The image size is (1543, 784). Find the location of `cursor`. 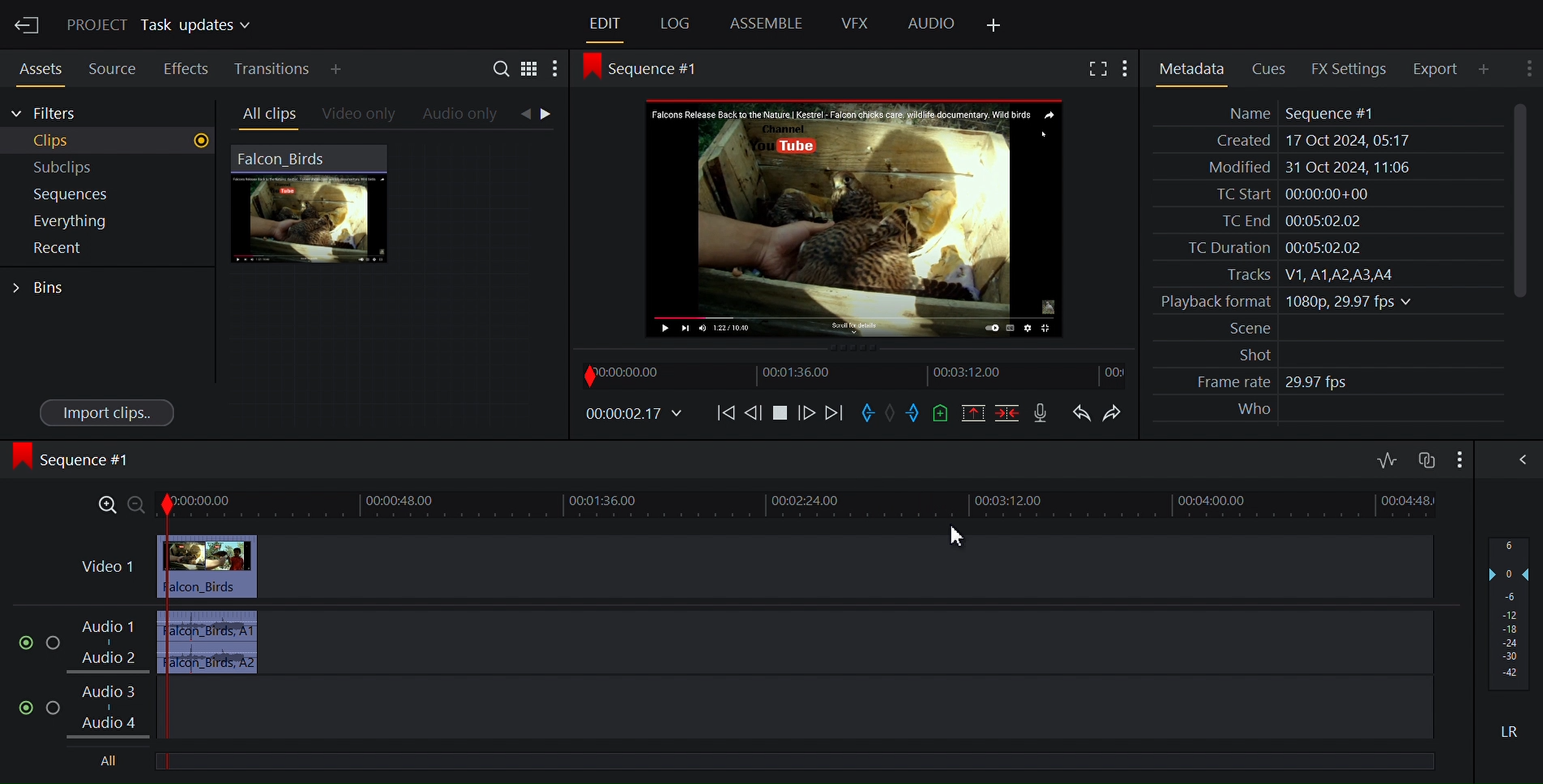

cursor is located at coordinates (956, 536).